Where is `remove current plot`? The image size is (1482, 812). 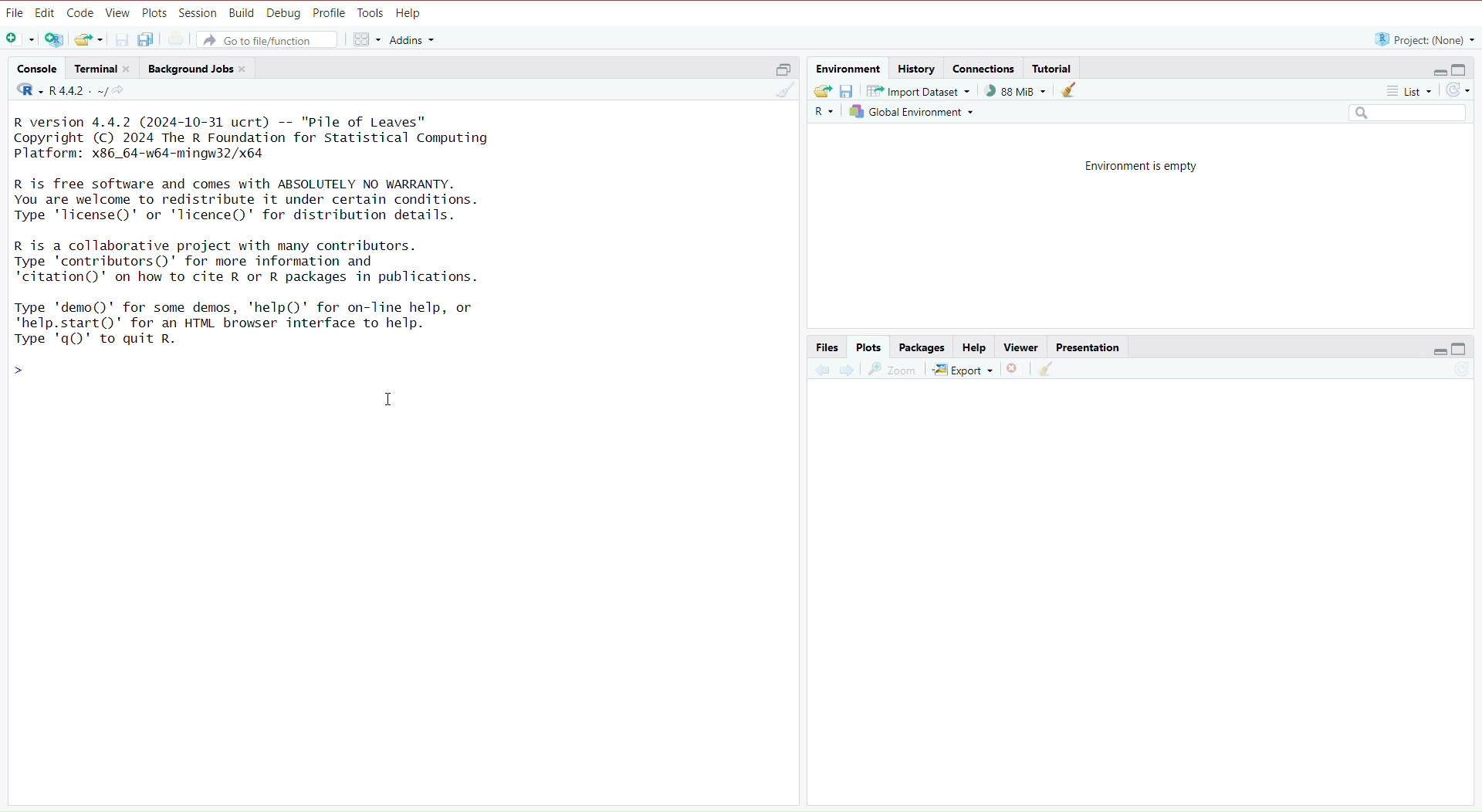
remove current plot is located at coordinates (1013, 371).